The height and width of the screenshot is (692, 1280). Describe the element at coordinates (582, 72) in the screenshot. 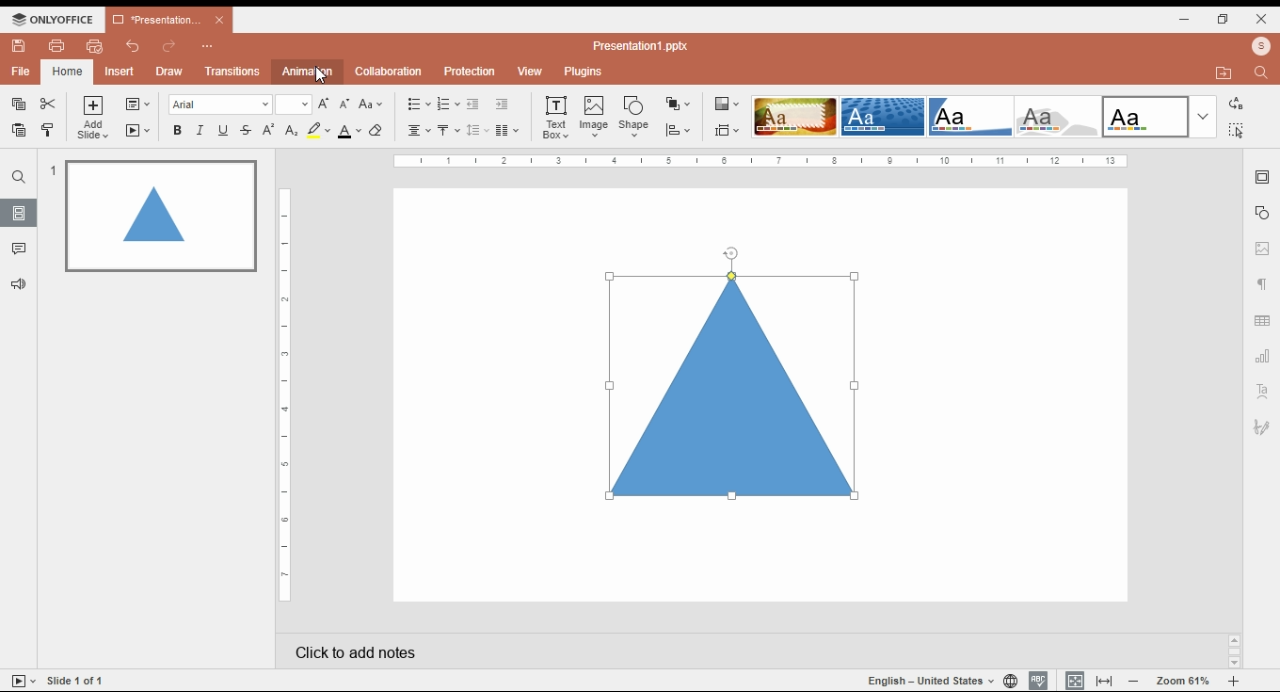

I see `plugins` at that location.